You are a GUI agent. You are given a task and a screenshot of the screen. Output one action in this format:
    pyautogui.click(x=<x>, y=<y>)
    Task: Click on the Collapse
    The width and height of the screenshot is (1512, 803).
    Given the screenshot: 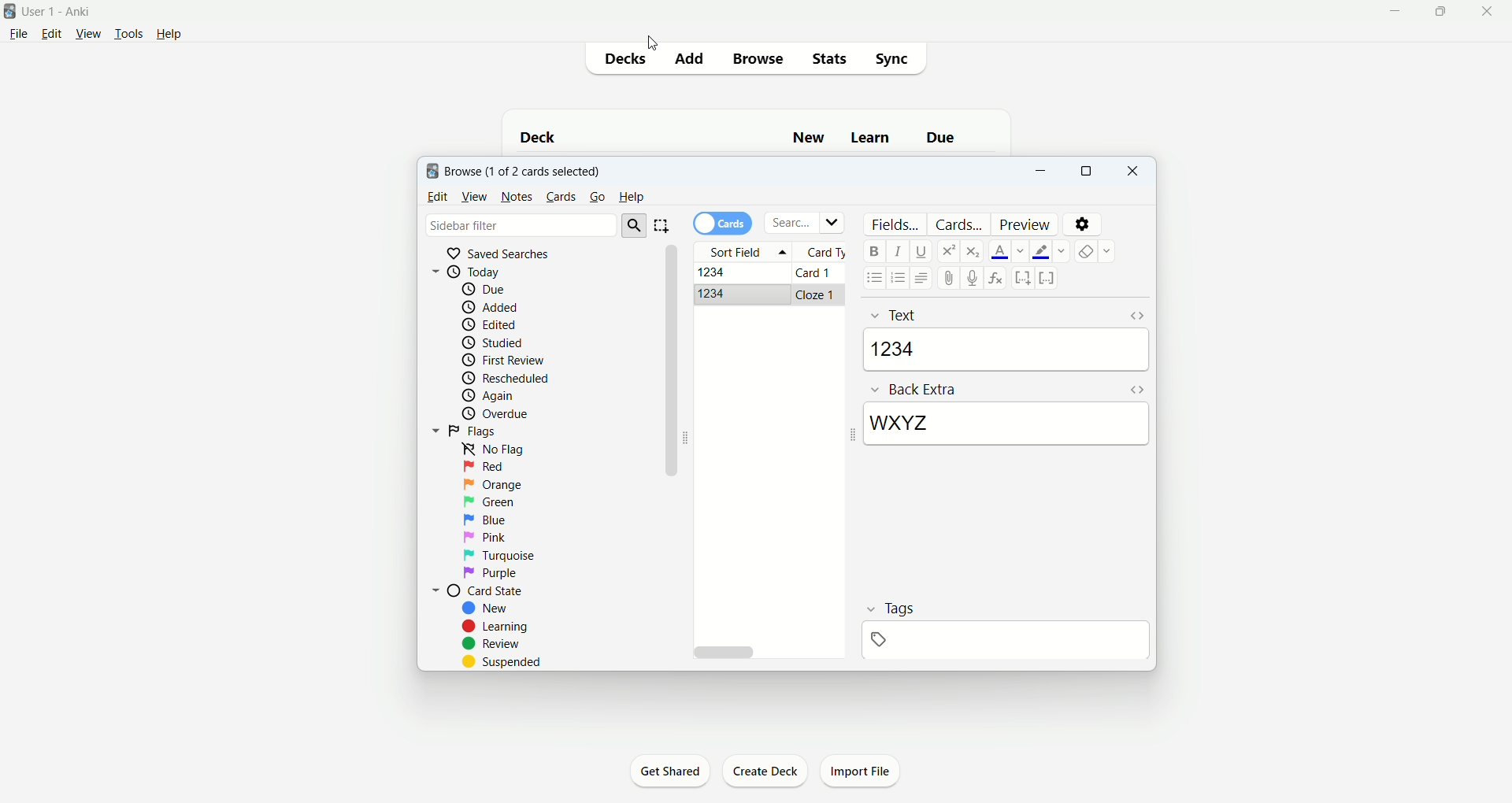 What is the action you would take?
    pyautogui.click(x=854, y=435)
    